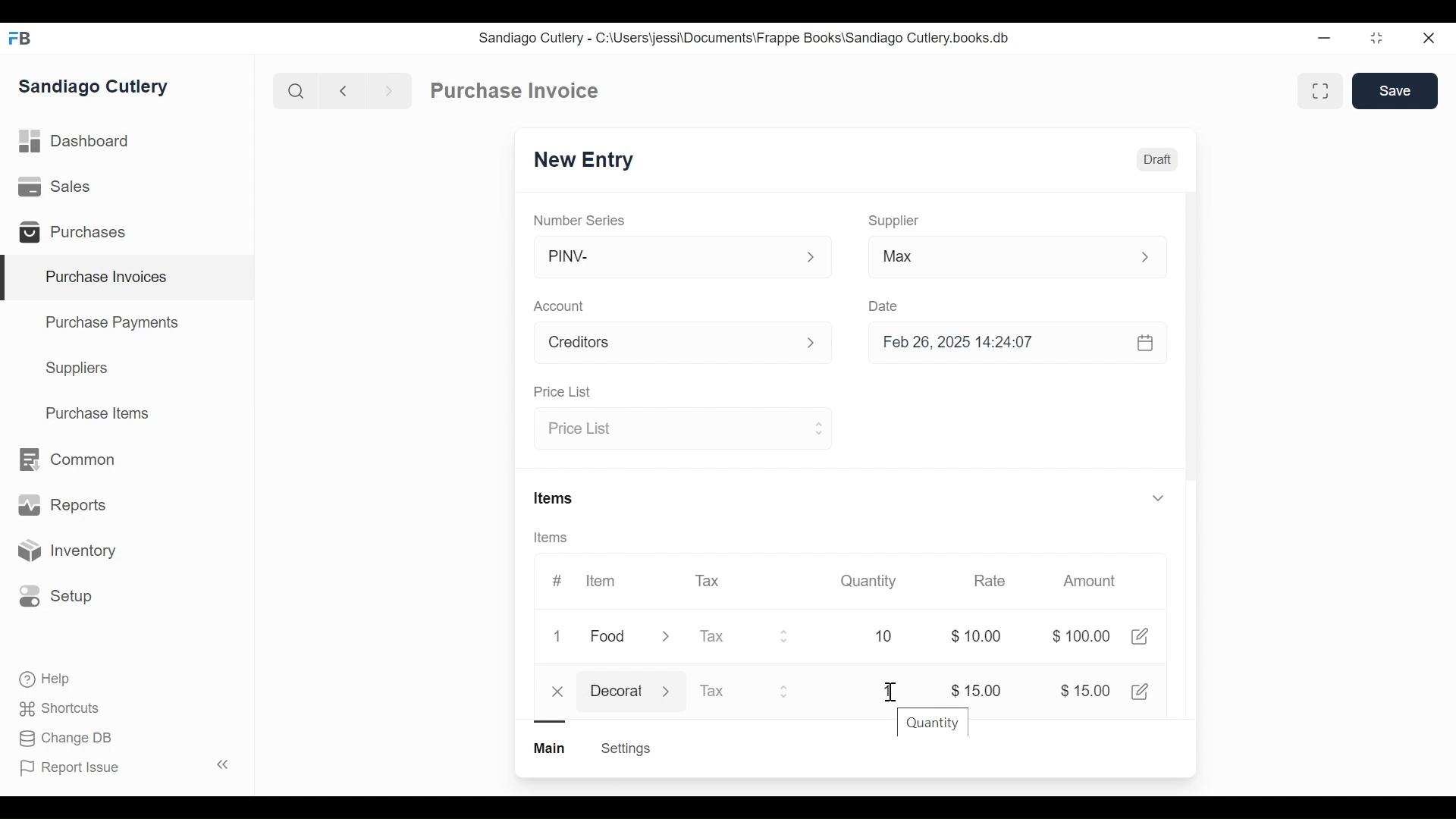  Describe the element at coordinates (1397, 91) in the screenshot. I see `Save` at that location.